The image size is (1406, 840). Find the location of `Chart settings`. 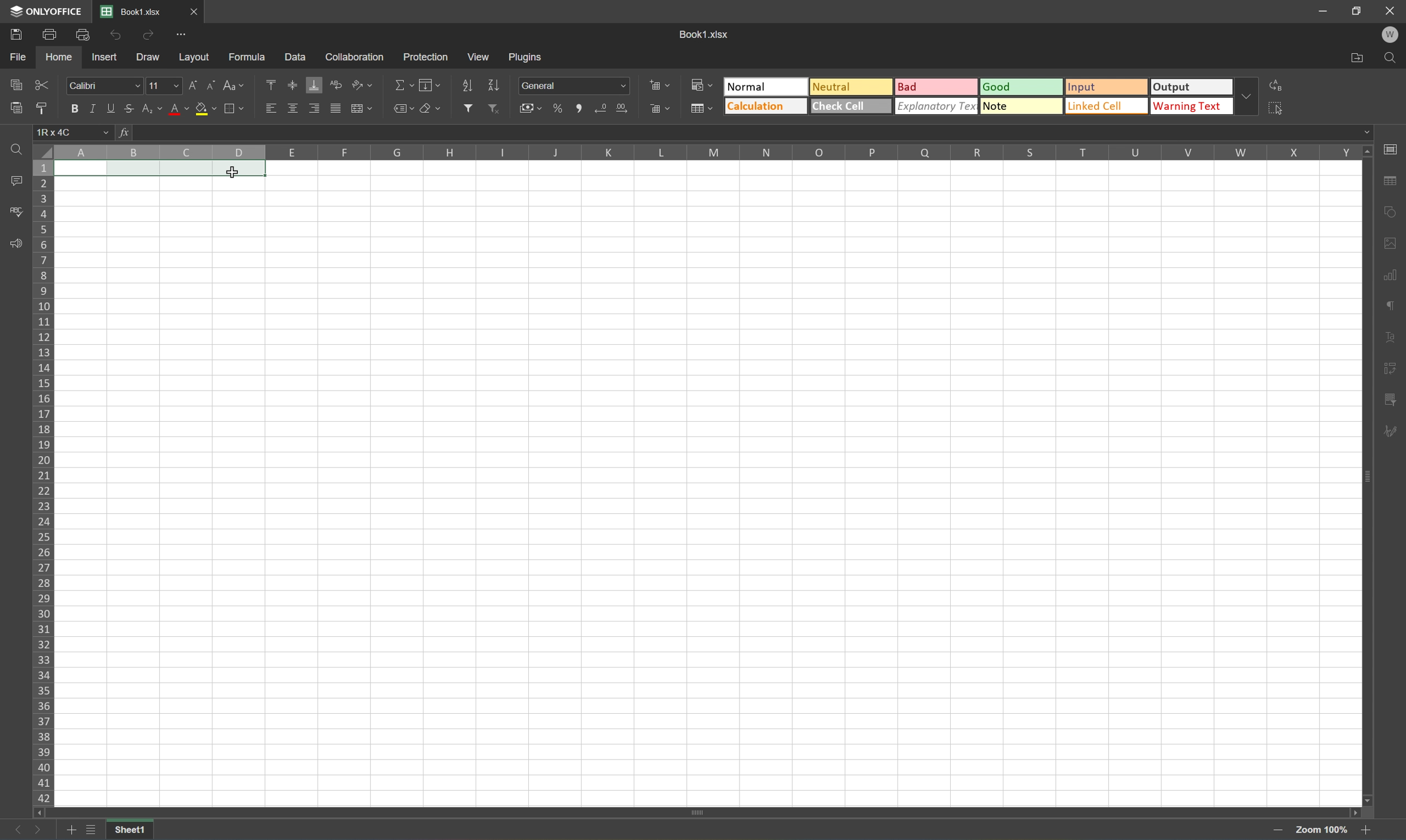

Chart settings is located at coordinates (1388, 275).